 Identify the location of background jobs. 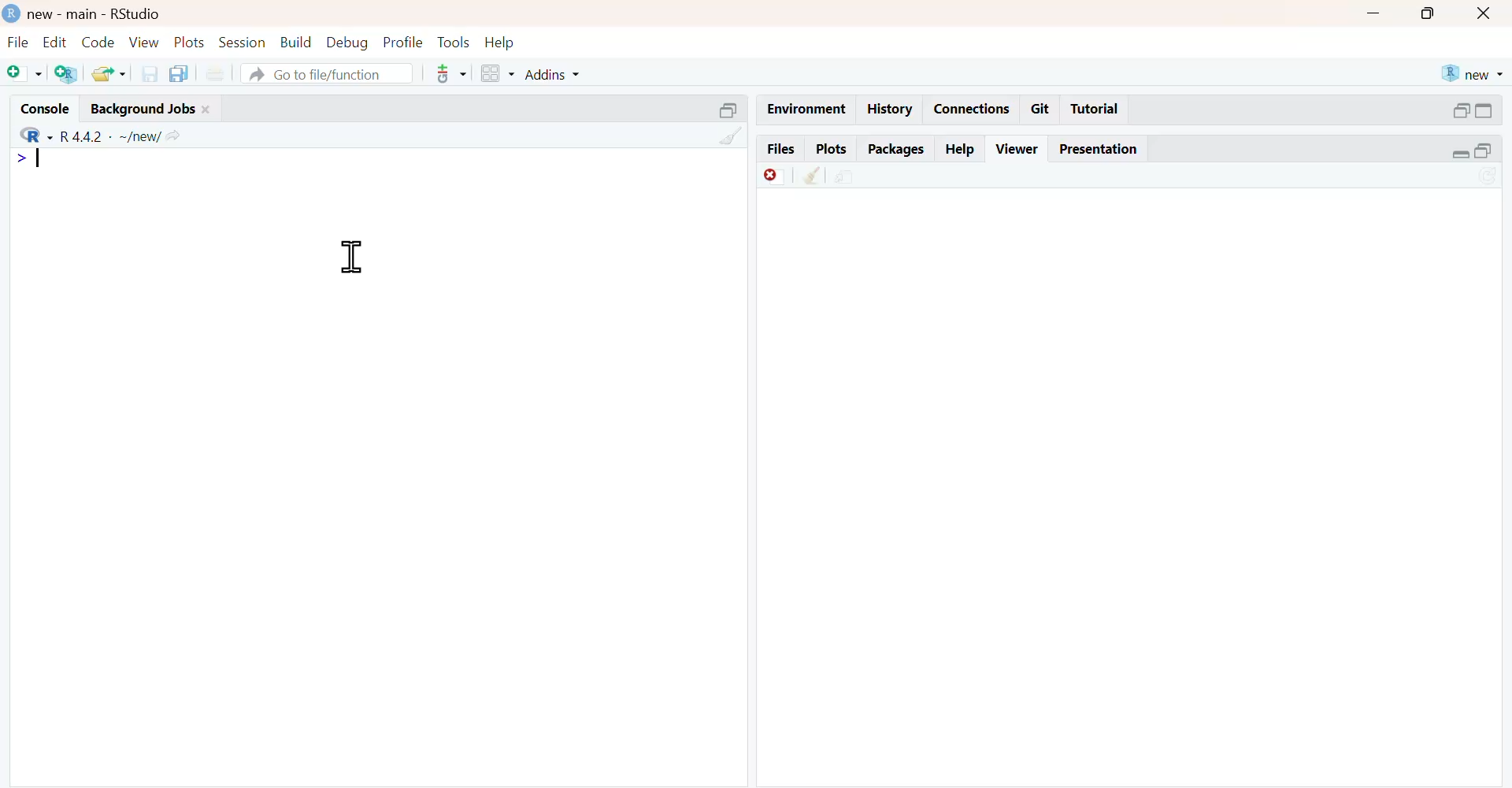
(143, 109).